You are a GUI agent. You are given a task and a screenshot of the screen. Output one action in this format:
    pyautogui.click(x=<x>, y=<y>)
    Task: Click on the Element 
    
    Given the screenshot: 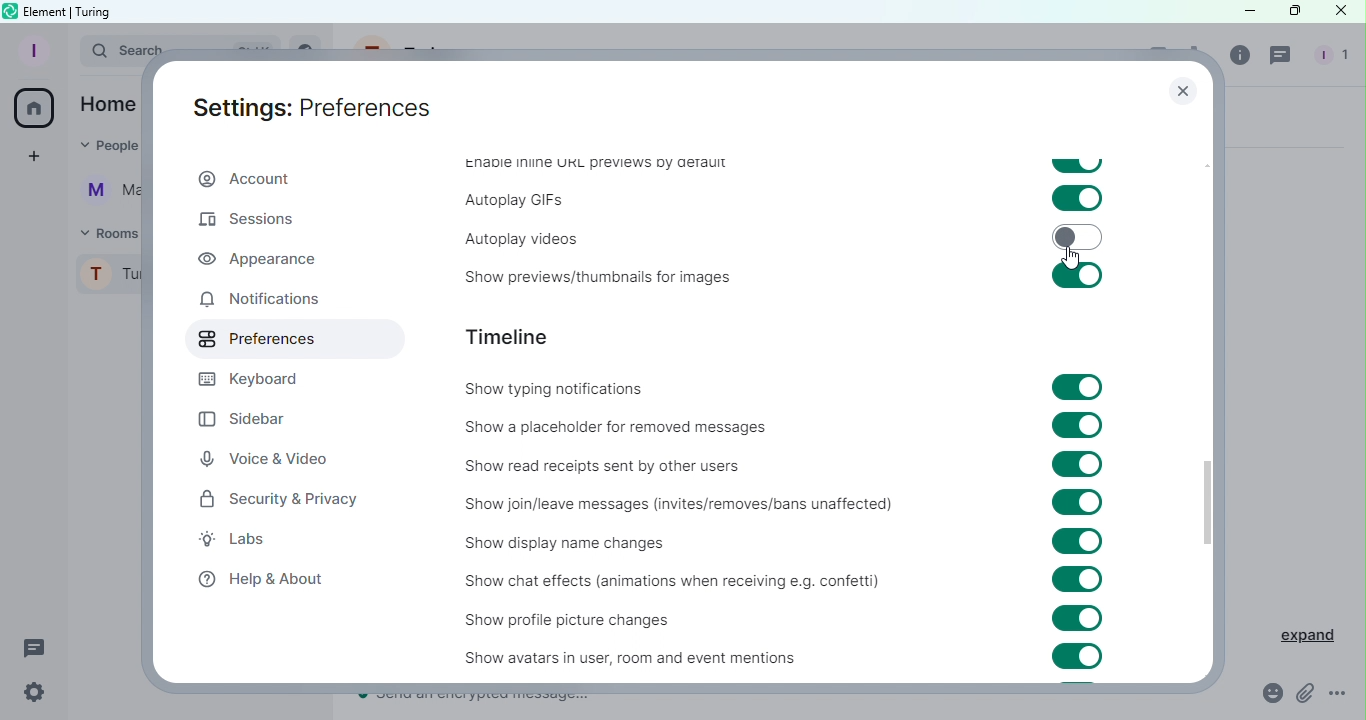 What is the action you would take?
    pyautogui.click(x=47, y=10)
    